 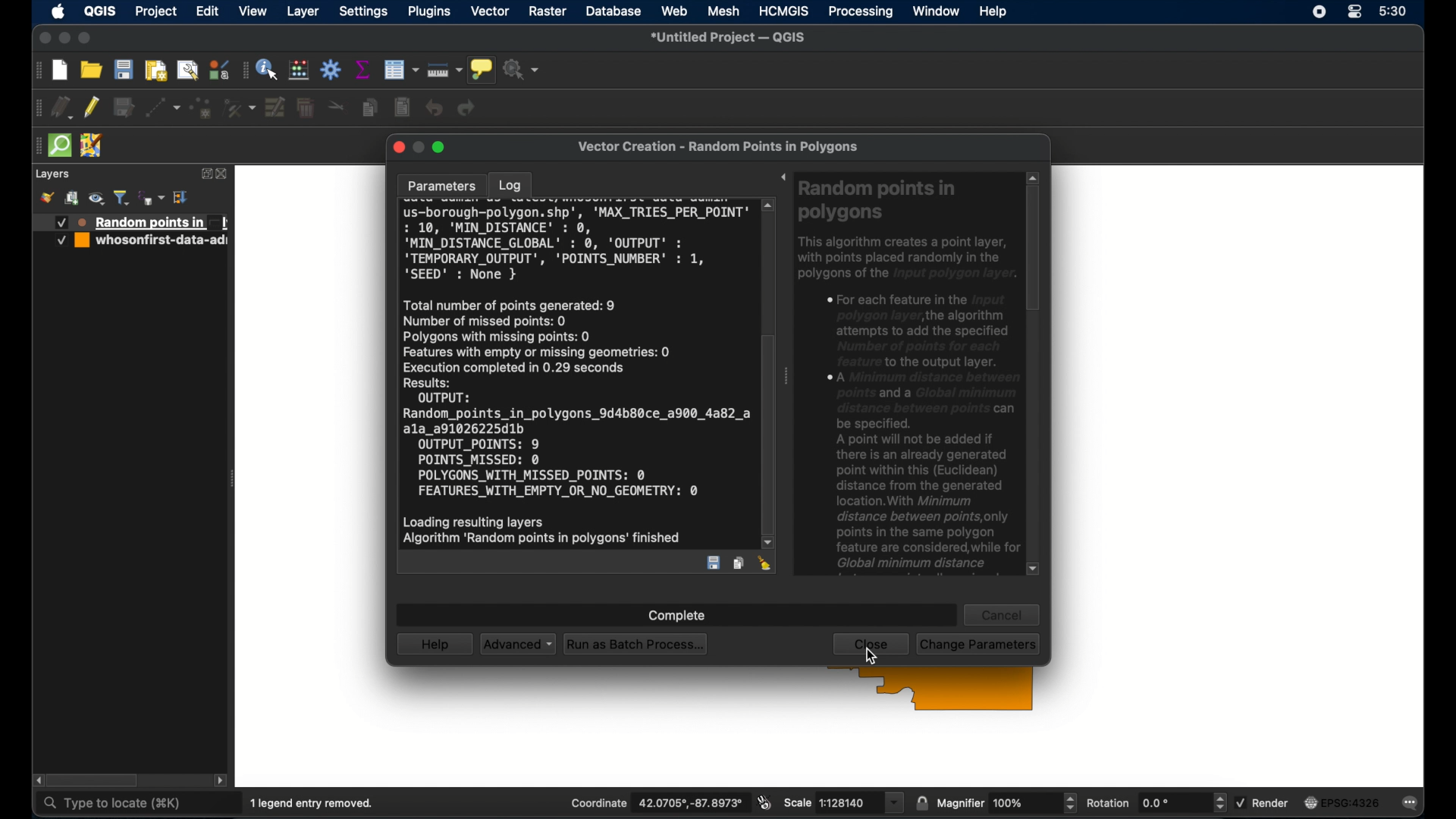 What do you see at coordinates (429, 12) in the screenshot?
I see `plugins` at bounding box center [429, 12].